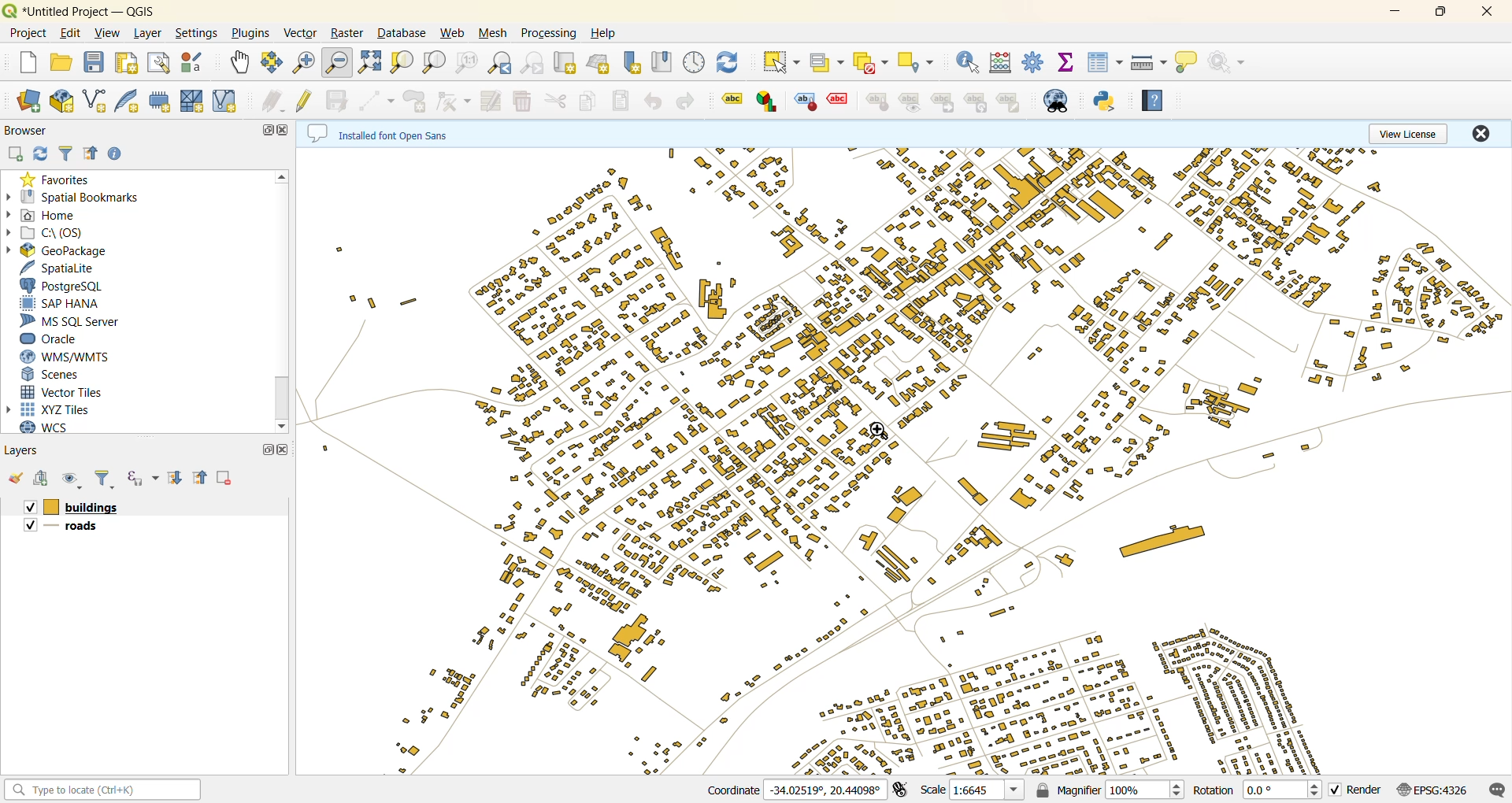  What do you see at coordinates (265, 453) in the screenshot?
I see `maximize` at bounding box center [265, 453].